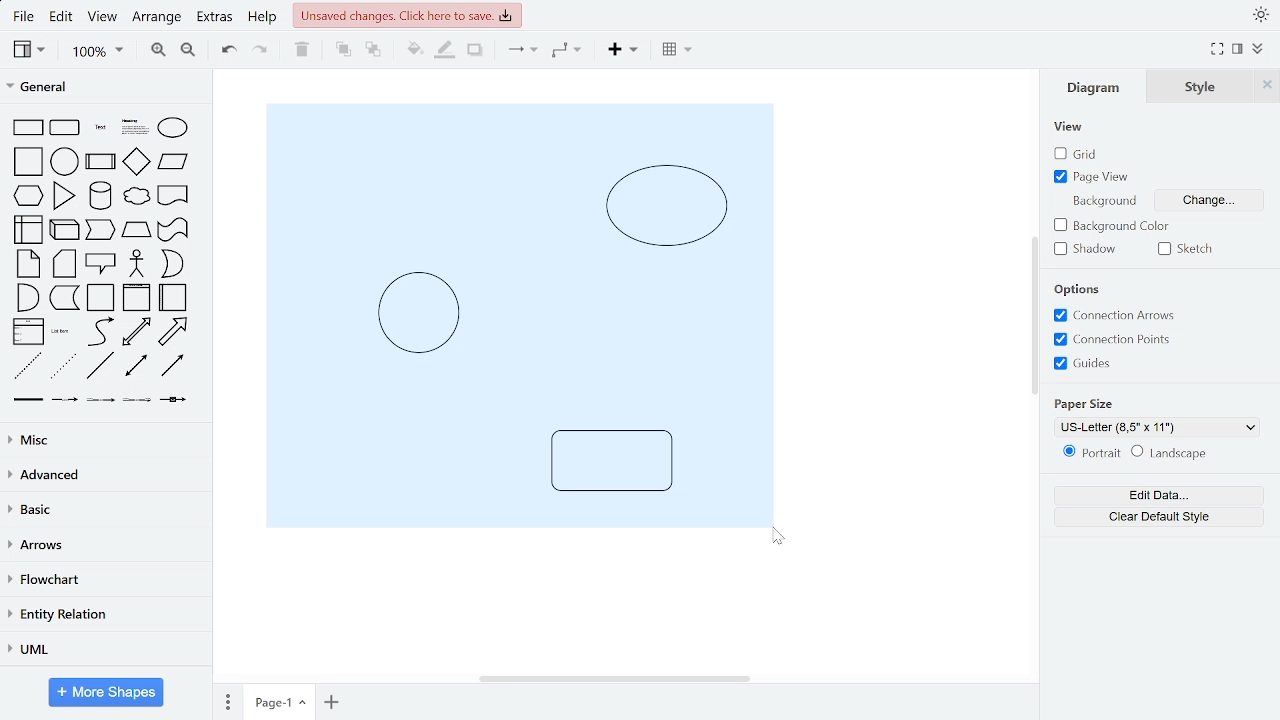 This screenshot has width=1280, height=720. What do you see at coordinates (102, 88) in the screenshot?
I see `general` at bounding box center [102, 88].